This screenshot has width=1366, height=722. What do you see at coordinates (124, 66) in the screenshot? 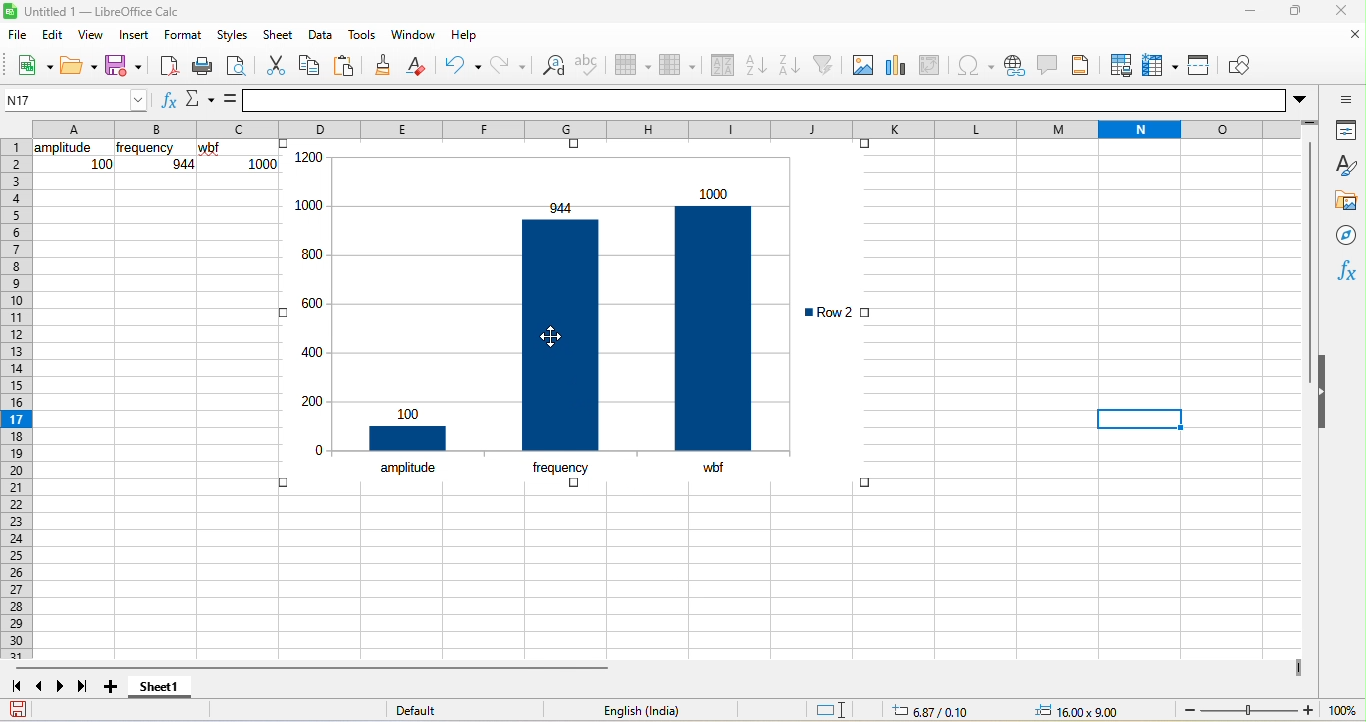
I see `save` at bounding box center [124, 66].